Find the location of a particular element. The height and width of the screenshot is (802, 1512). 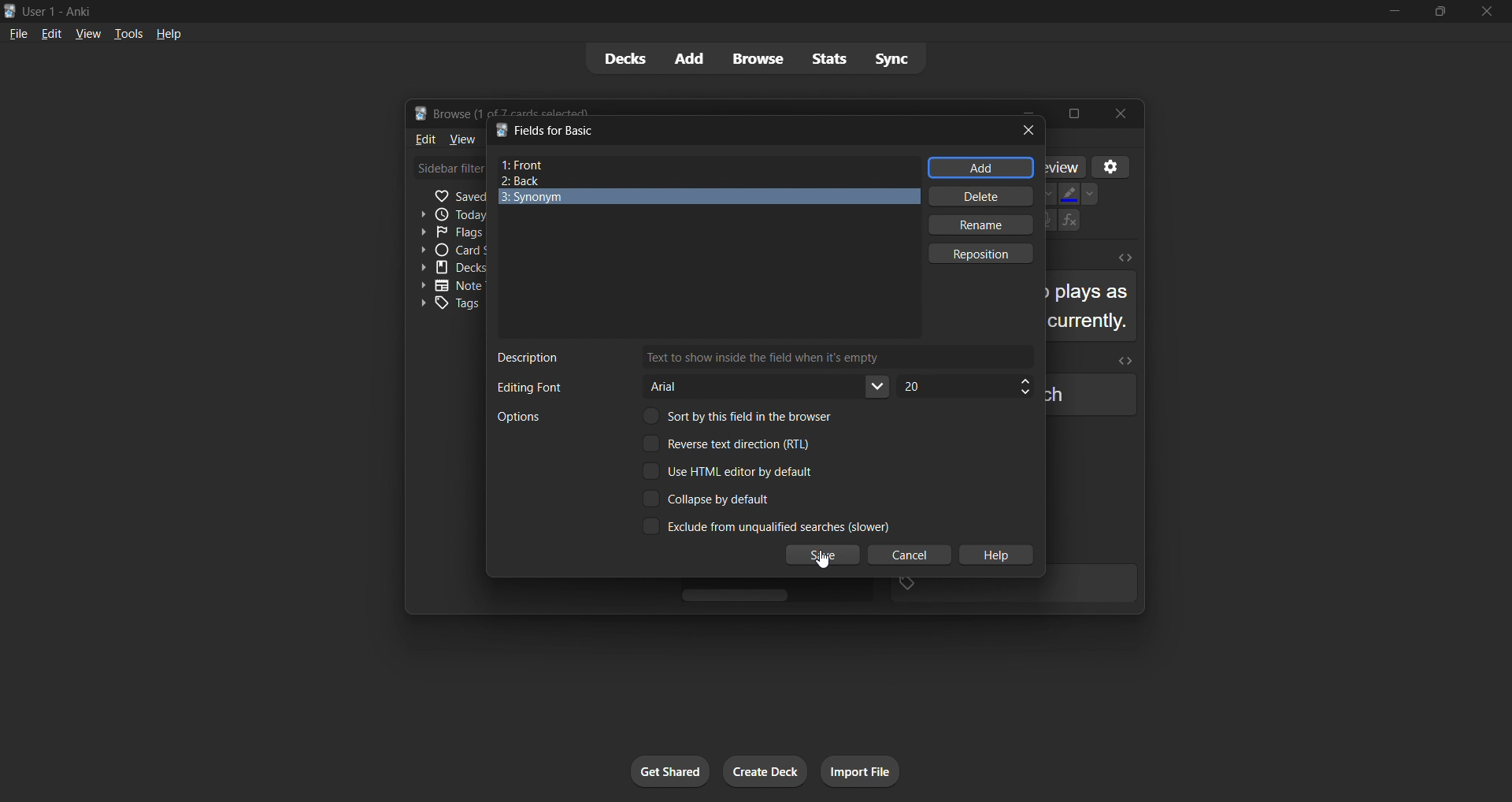

Decks is located at coordinates (449, 268).